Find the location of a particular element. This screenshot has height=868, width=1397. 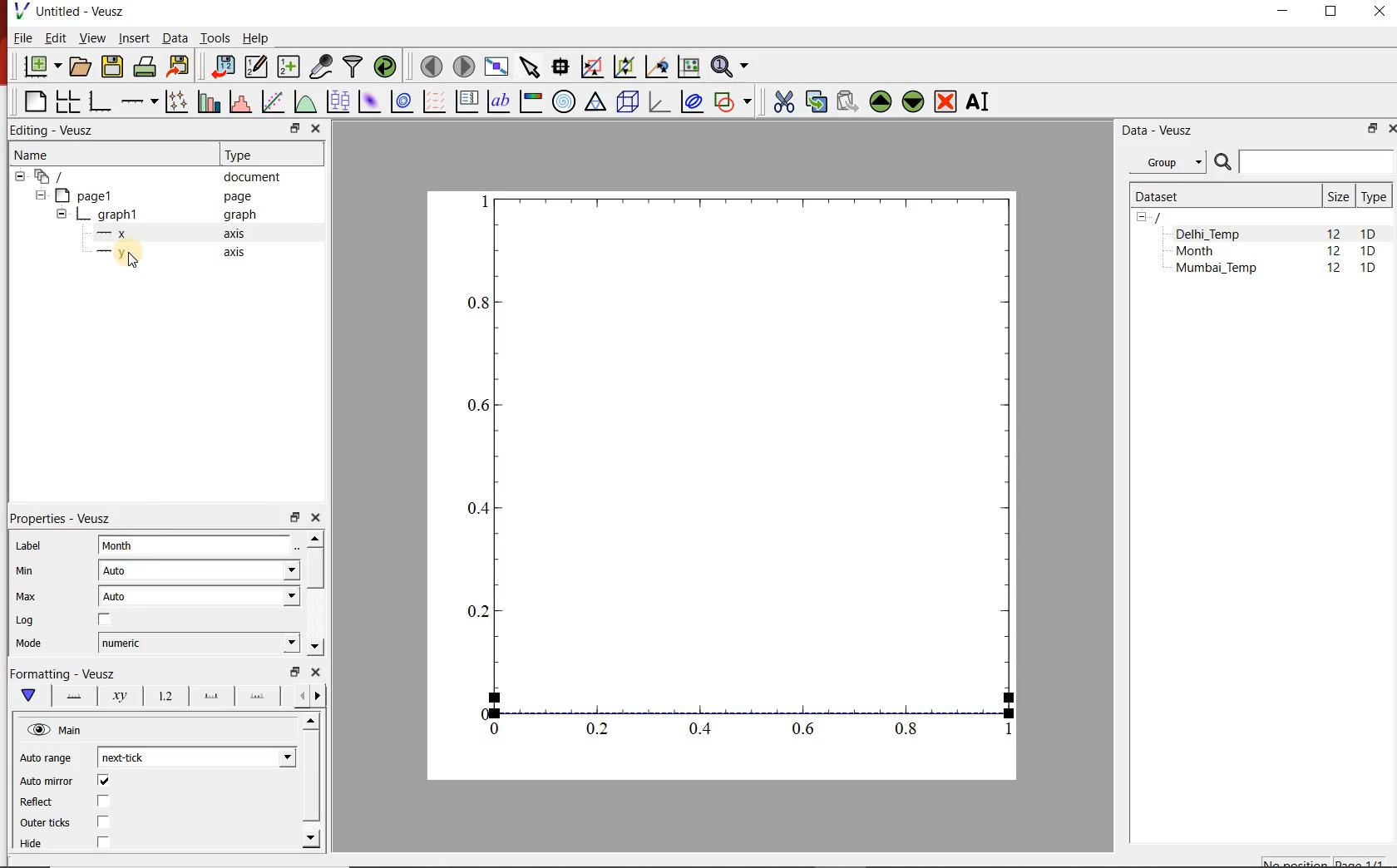

check/uncheck is located at coordinates (103, 781).